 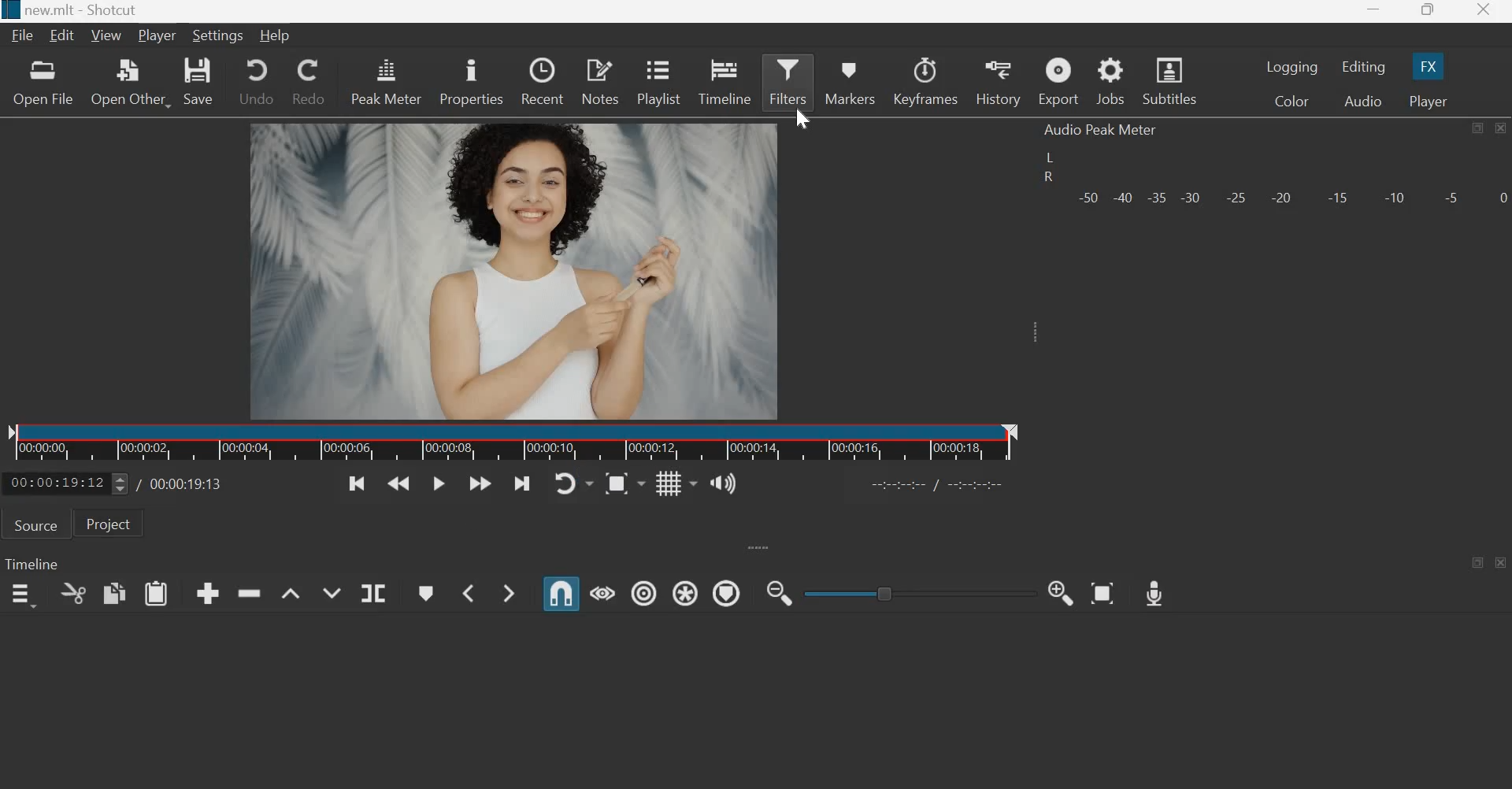 What do you see at coordinates (291, 593) in the screenshot?
I see `Lift` at bounding box center [291, 593].